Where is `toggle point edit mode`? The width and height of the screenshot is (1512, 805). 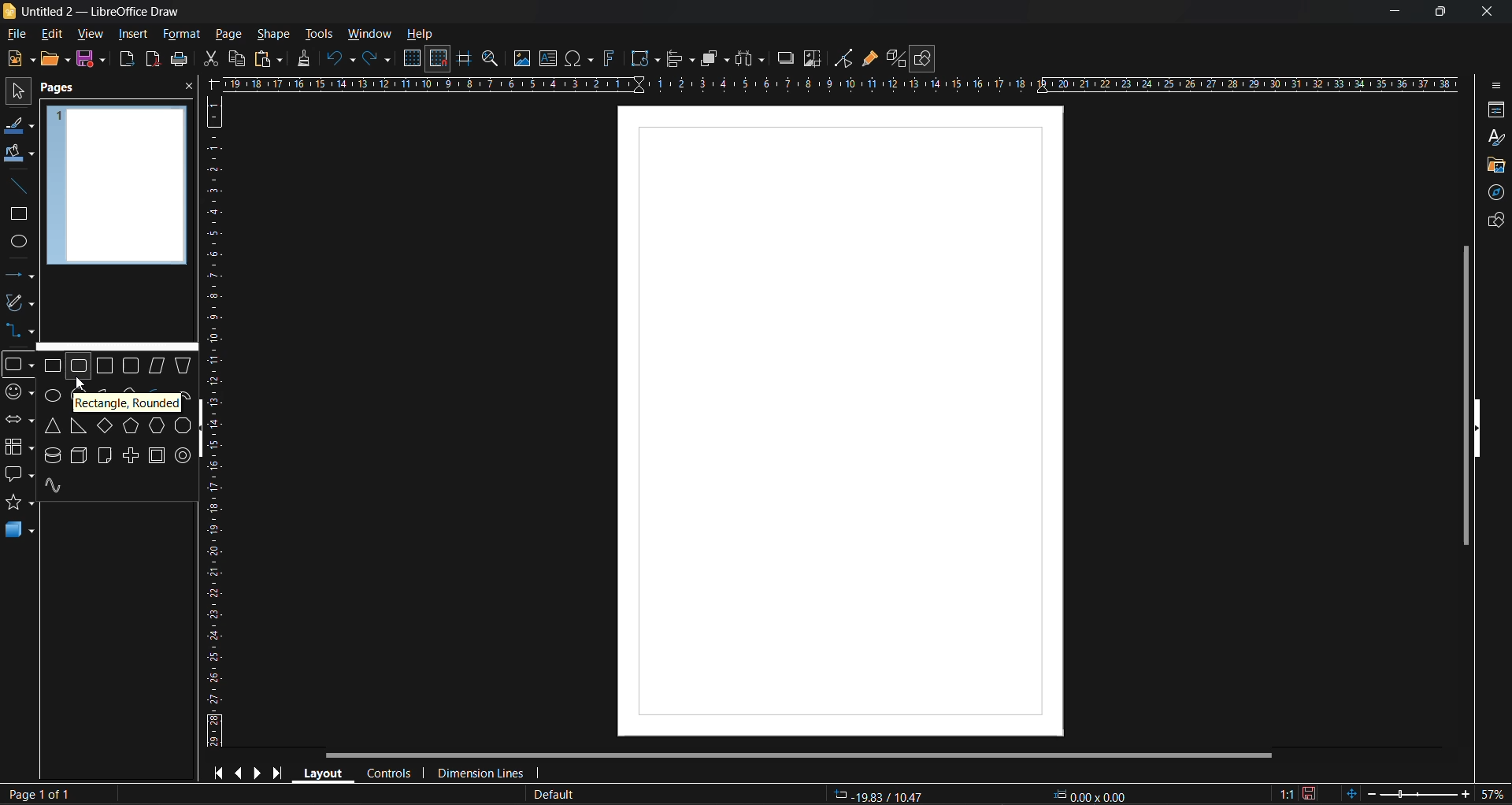
toggle point edit mode is located at coordinates (846, 59).